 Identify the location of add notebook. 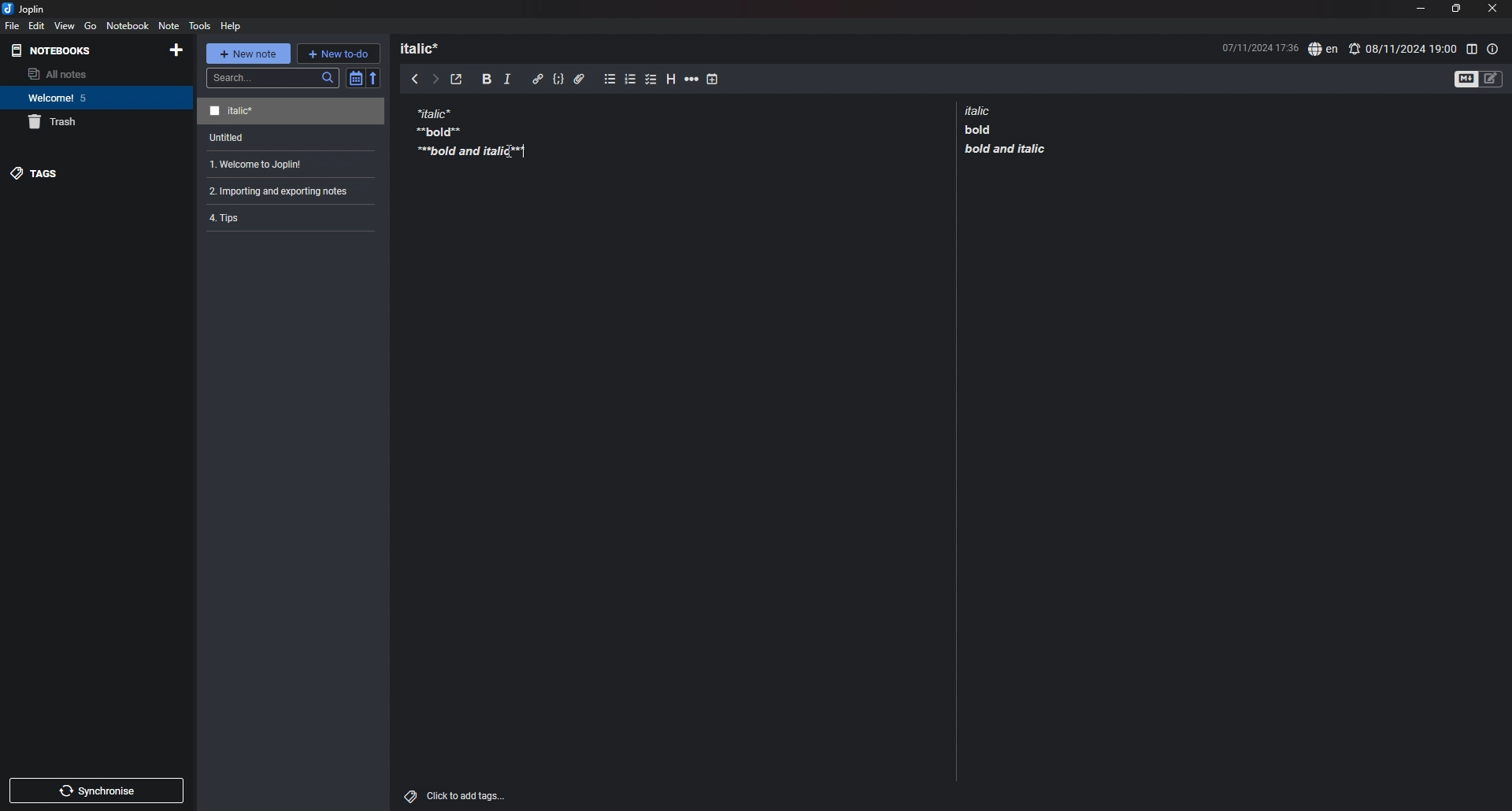
(175, 50).